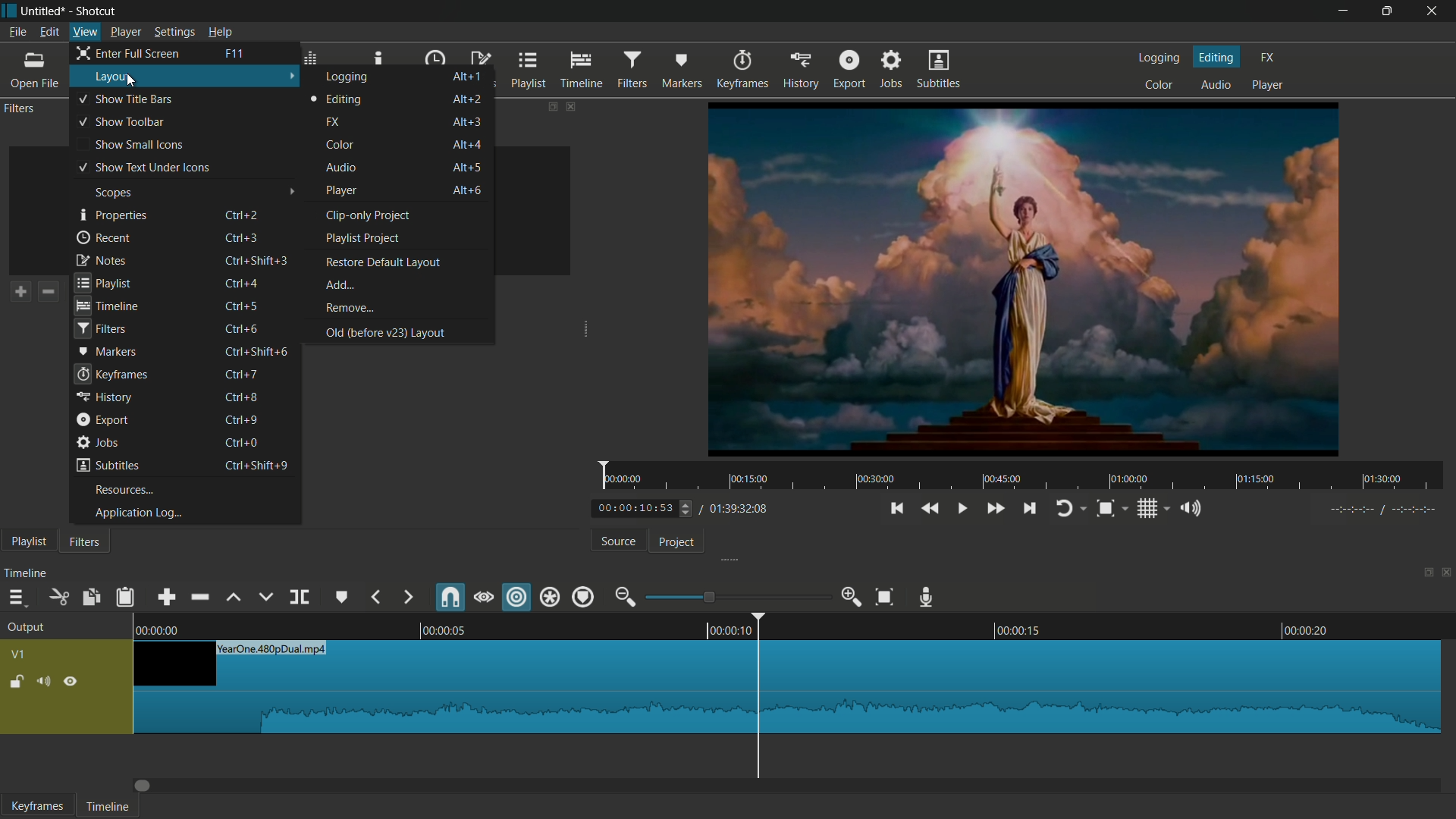 The width and height of the screenshot is (1456, 819). I want to click on keyframes, so click(111, 374).